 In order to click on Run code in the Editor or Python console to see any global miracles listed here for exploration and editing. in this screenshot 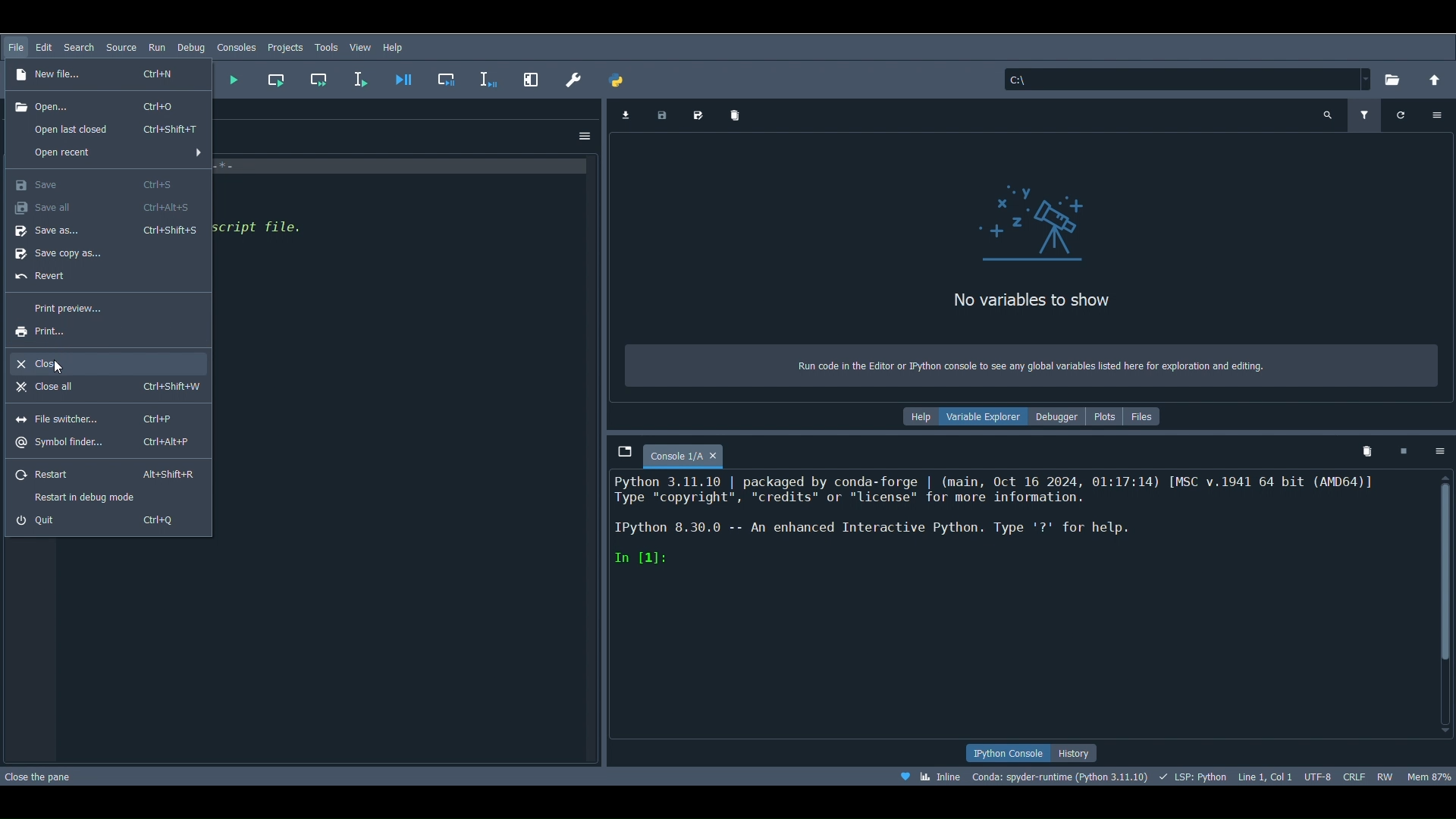, I will do `click(1028, 365)`.